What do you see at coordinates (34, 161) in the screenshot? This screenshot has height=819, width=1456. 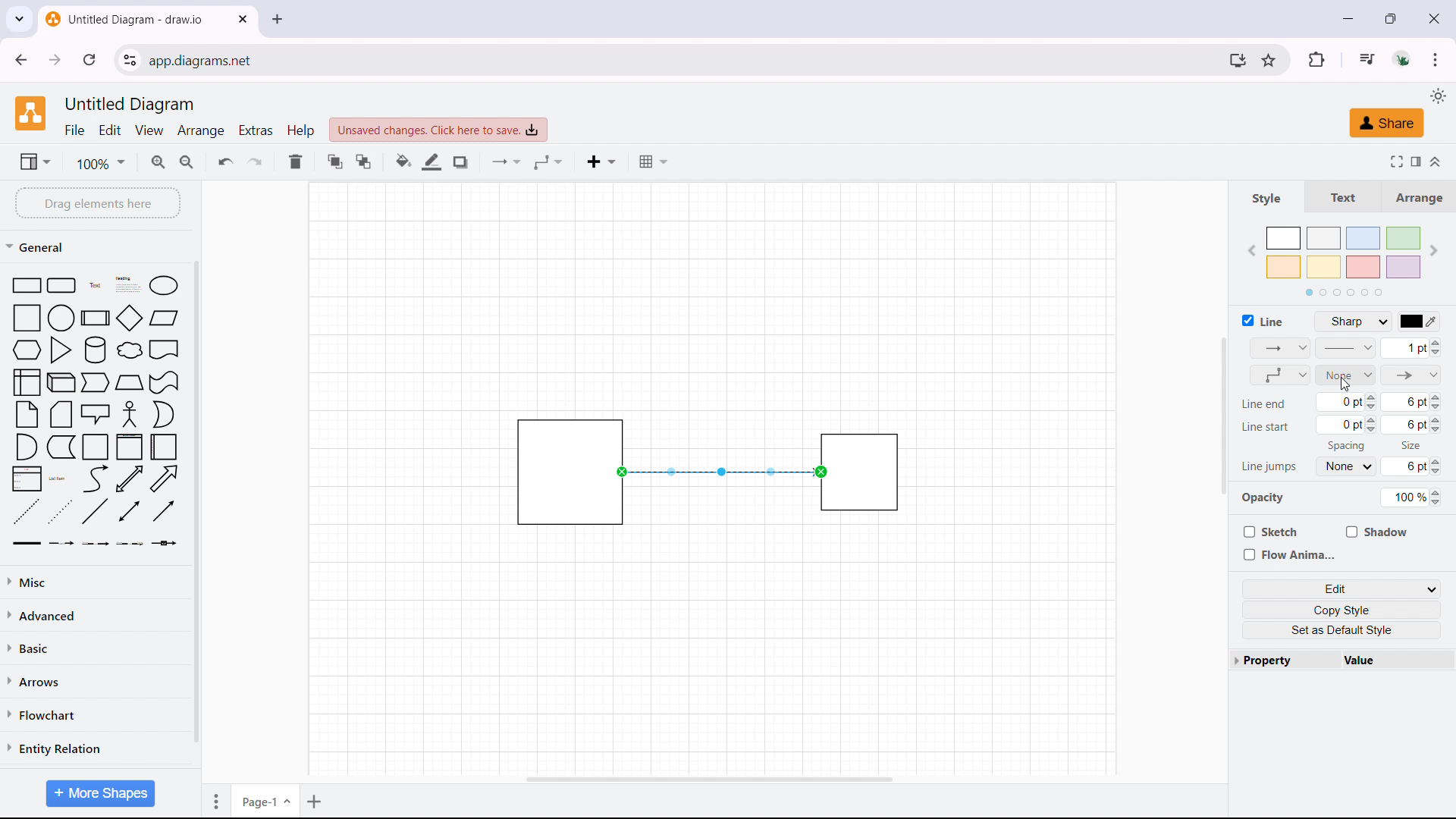 I see `view` at bounding box center [34, 161].